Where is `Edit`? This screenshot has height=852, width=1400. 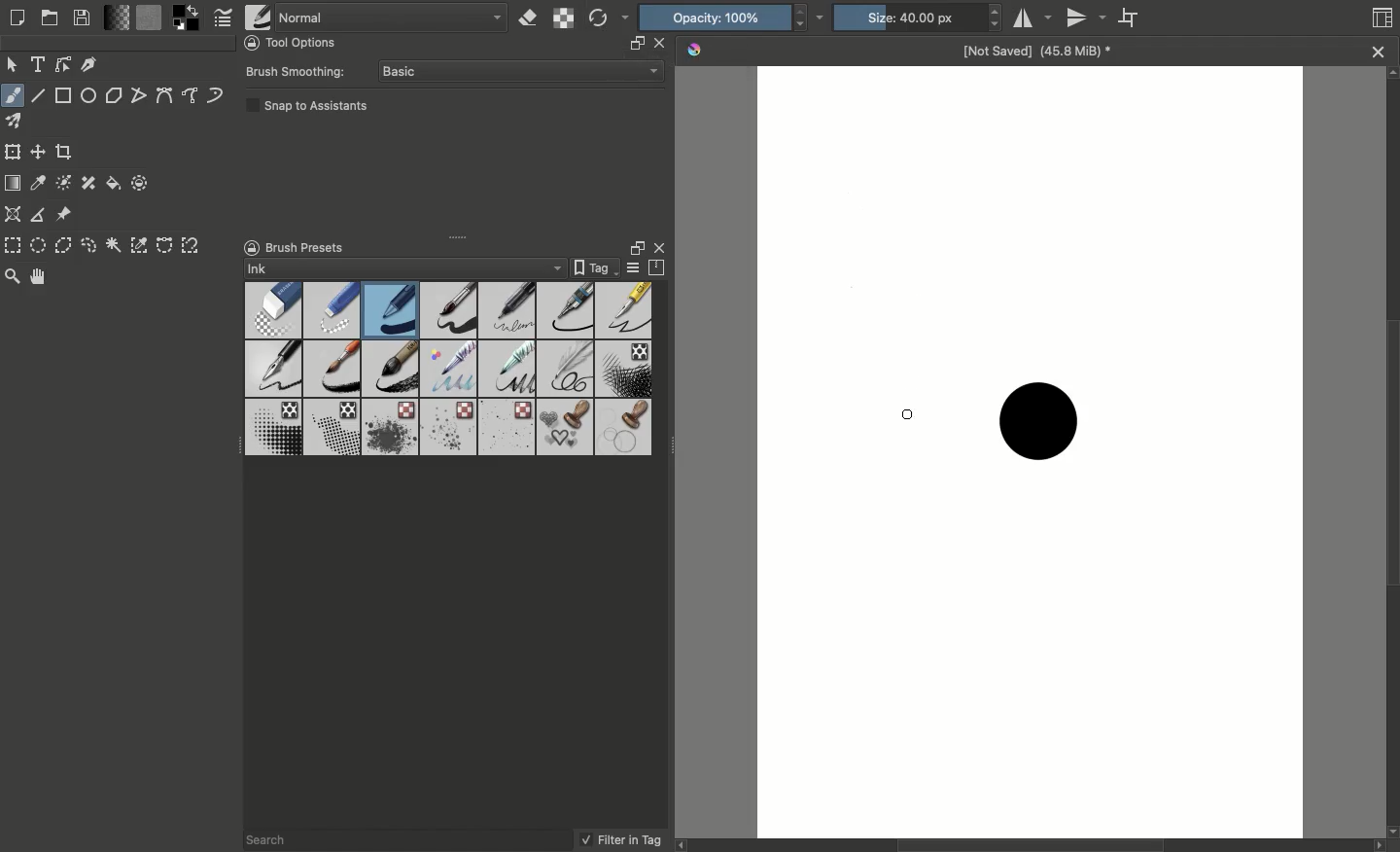
Edit is located at coordinates (63, 66).